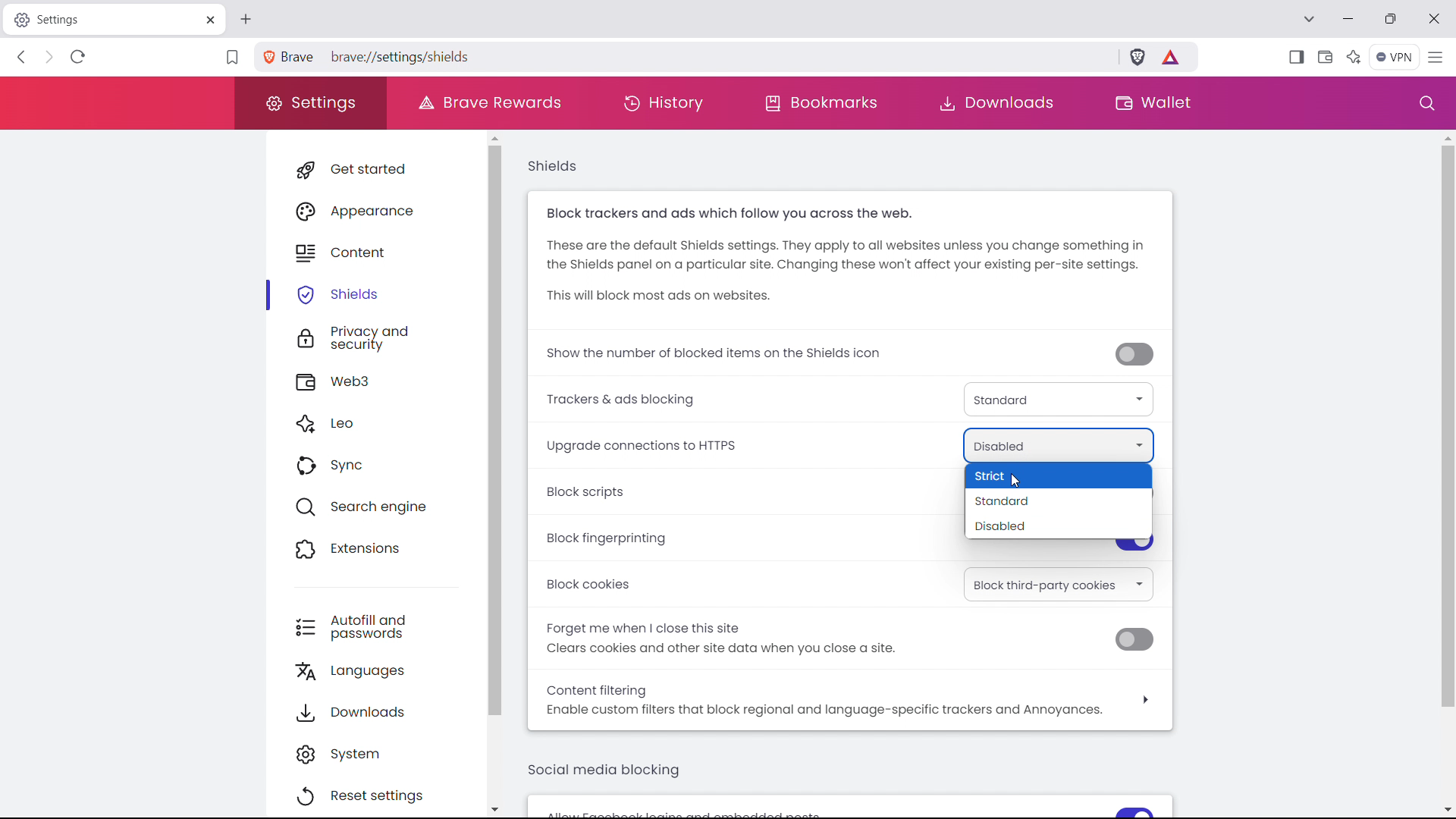 The image size is (1456, 819). Describe the element at coordinates (1137, 548) in the screenshot. I see `toggle on` at that location.